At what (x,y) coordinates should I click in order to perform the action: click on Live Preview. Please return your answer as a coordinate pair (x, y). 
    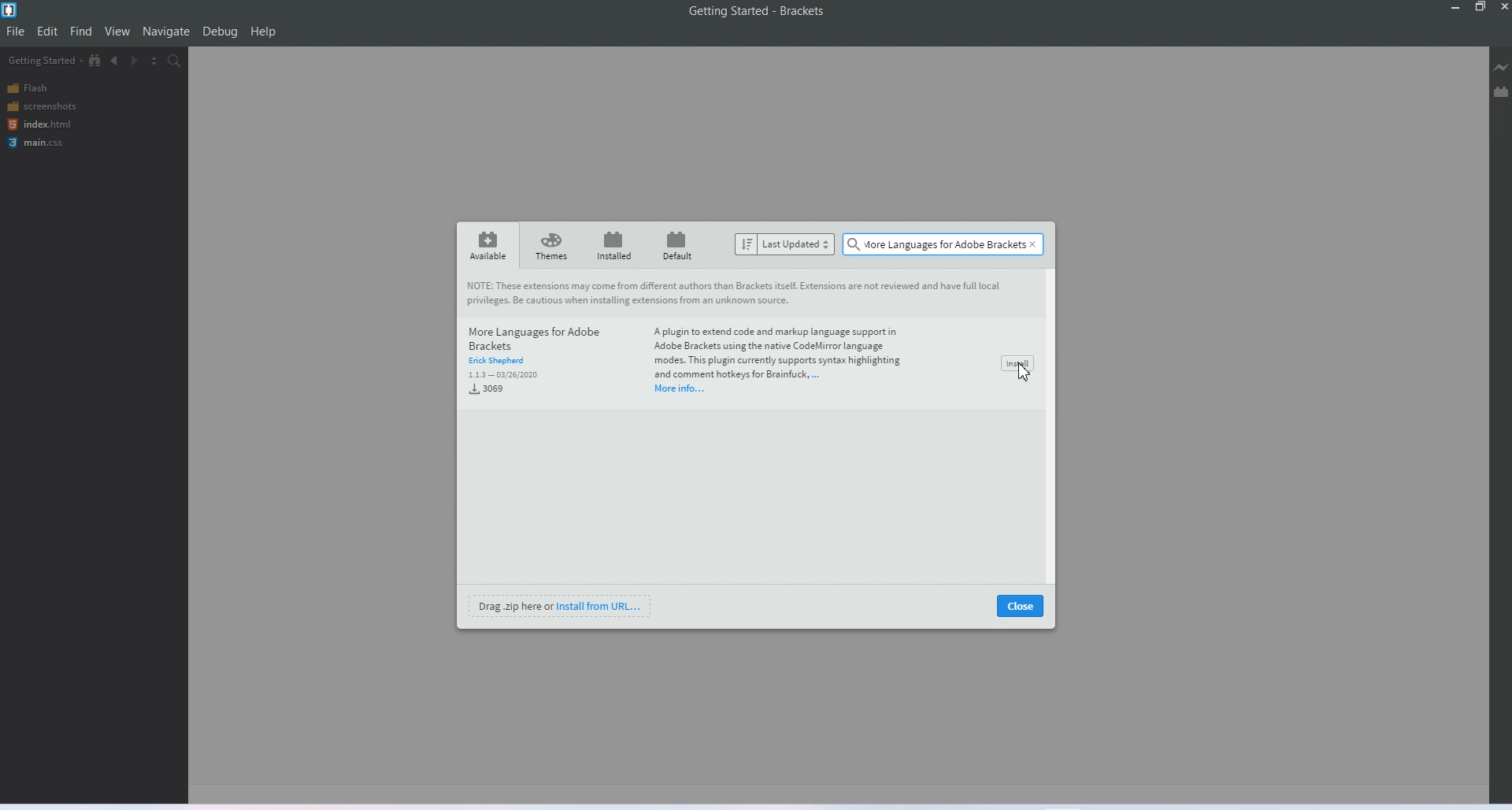
    Looking at the image, I should click on (1502, 68).